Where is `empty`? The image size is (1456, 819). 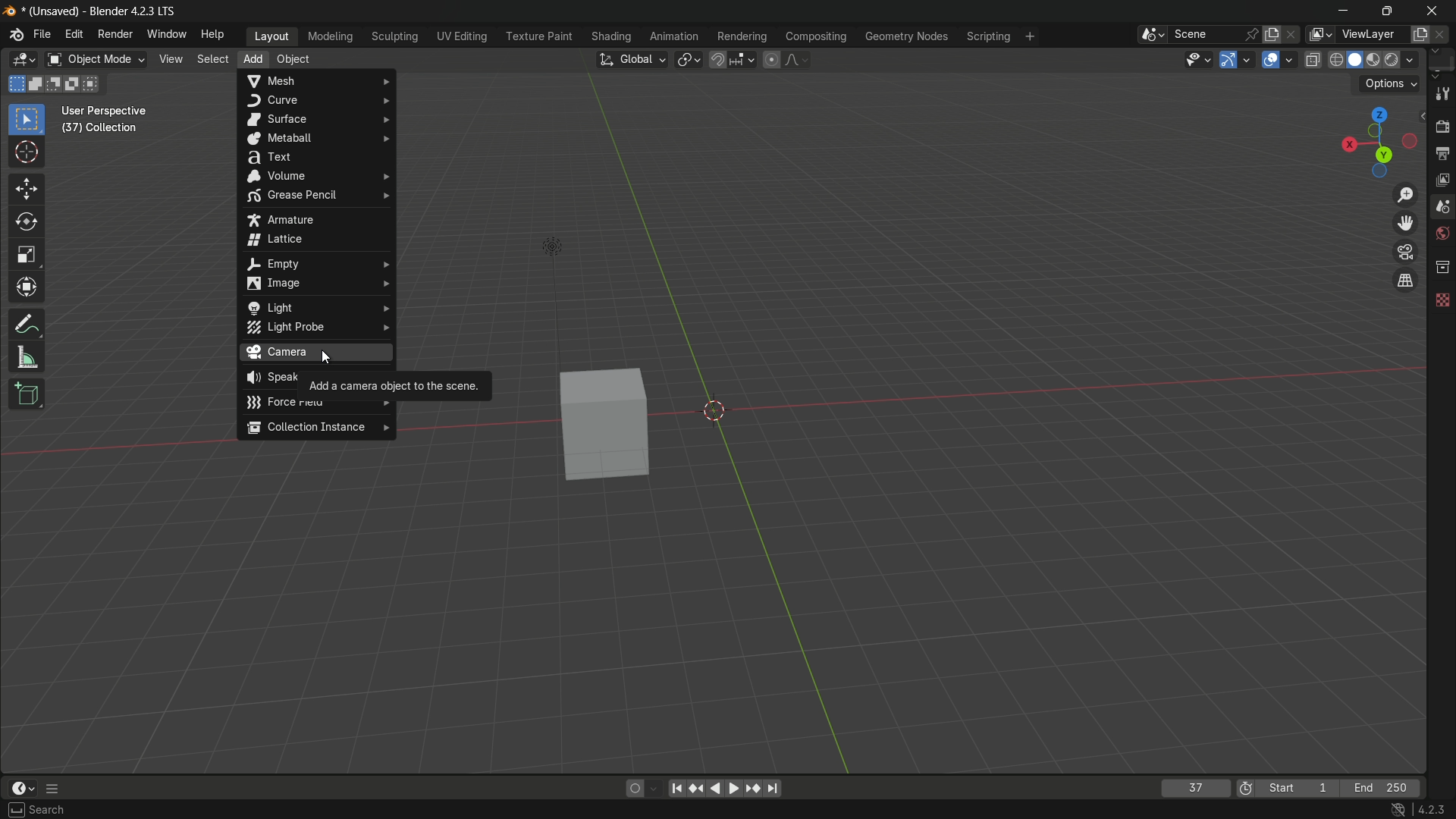
empty is located at coordinates (315, 261).